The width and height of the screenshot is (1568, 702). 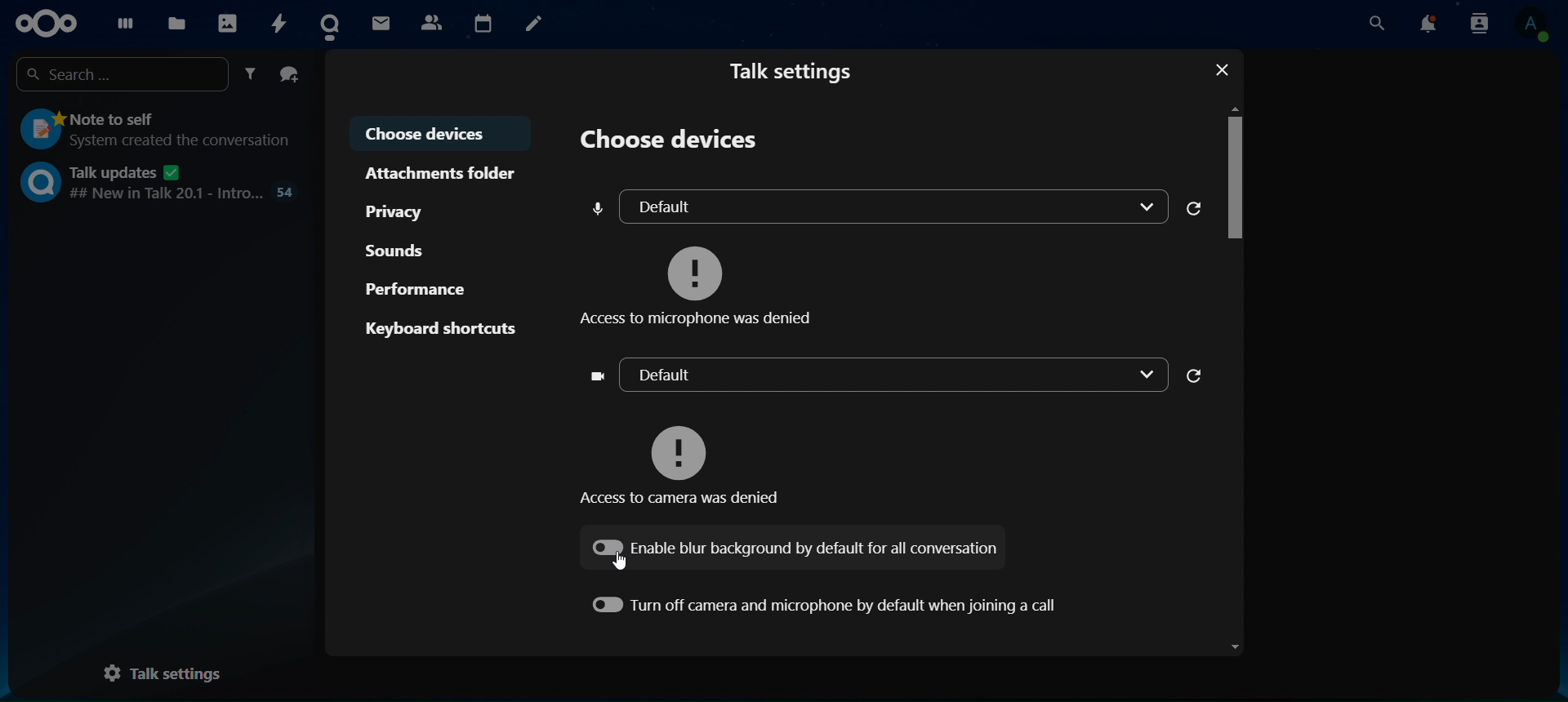 What do you see at coordinates (118, 75) in the screenshot?
I see `search` at bounding box center [118, 75].